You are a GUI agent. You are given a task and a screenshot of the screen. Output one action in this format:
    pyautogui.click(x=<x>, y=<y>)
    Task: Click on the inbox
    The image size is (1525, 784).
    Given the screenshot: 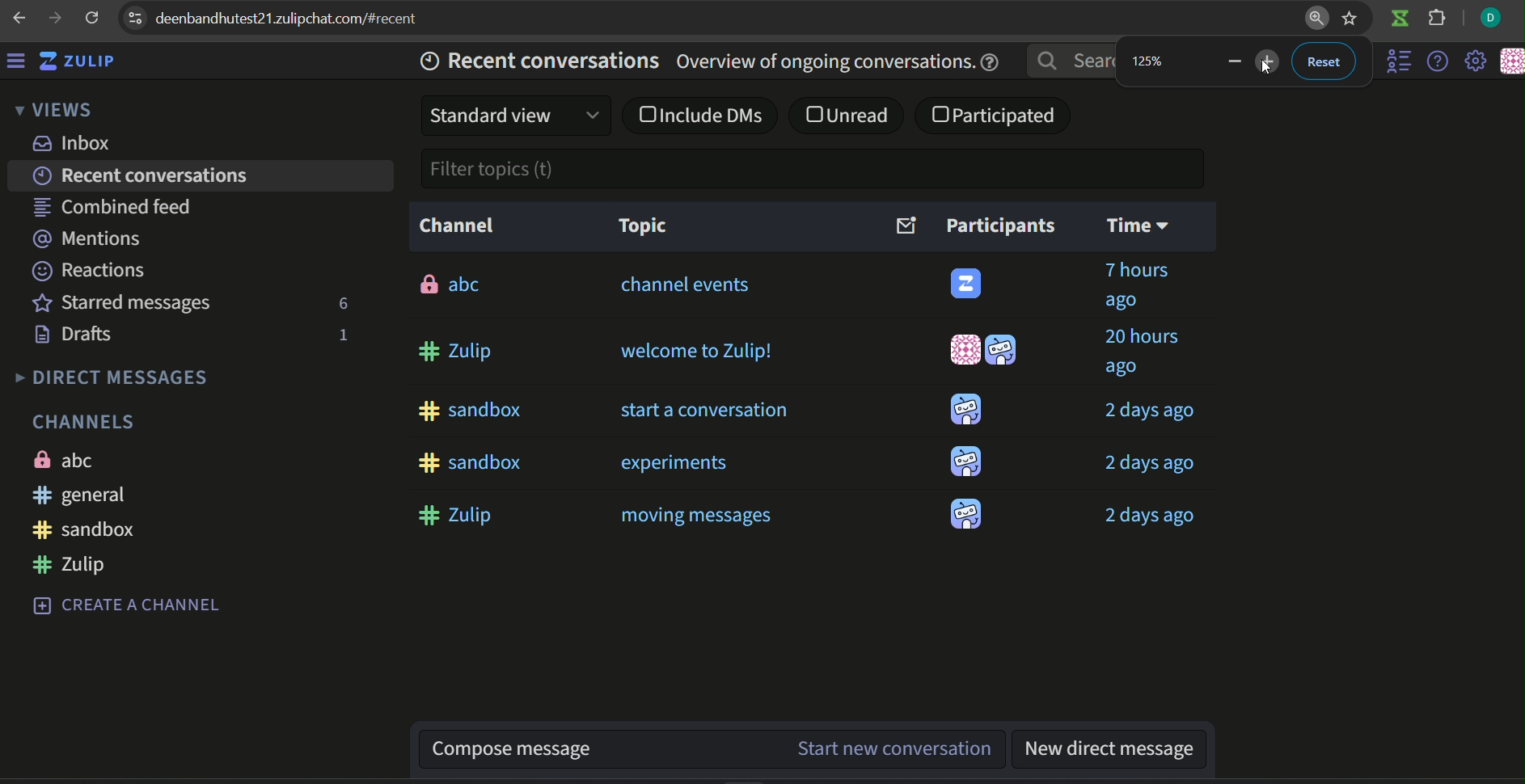 What is the action you would take?
    pyautogui.click(x=73, y=143)
    